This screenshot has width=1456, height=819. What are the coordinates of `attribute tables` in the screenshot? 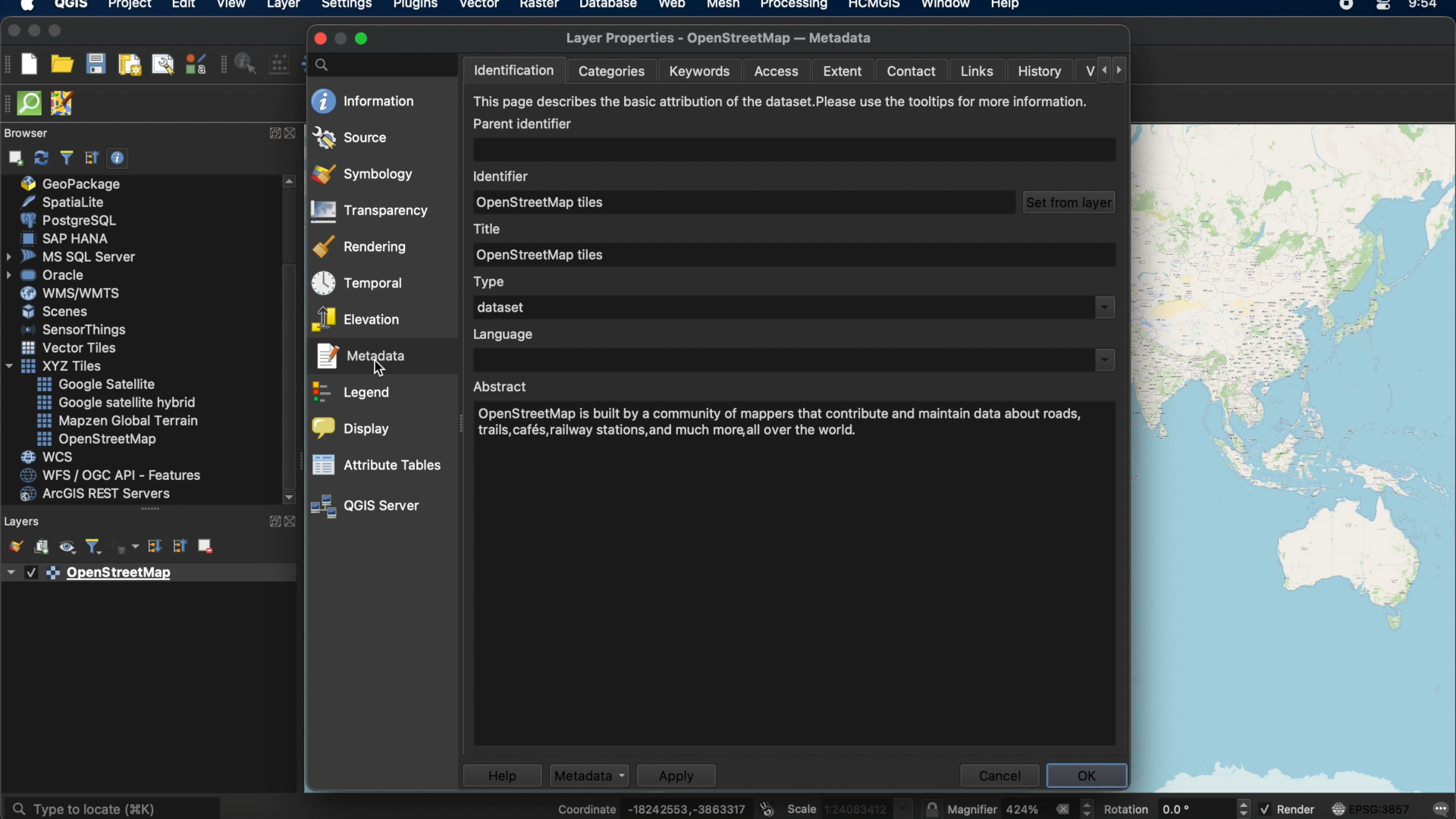 It's located at (378, 465).